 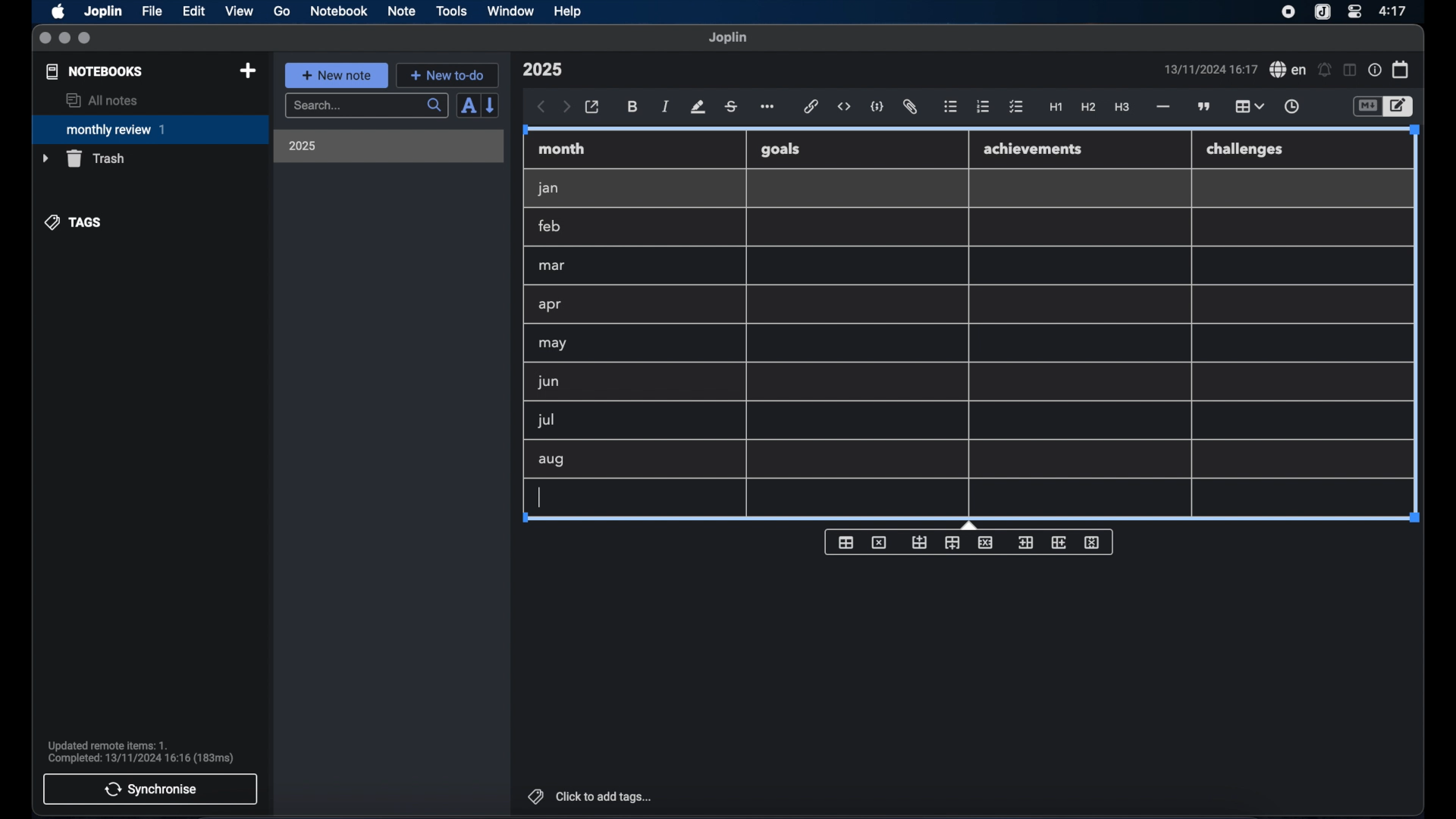 I want to click on note, so click(x=402, y=11).